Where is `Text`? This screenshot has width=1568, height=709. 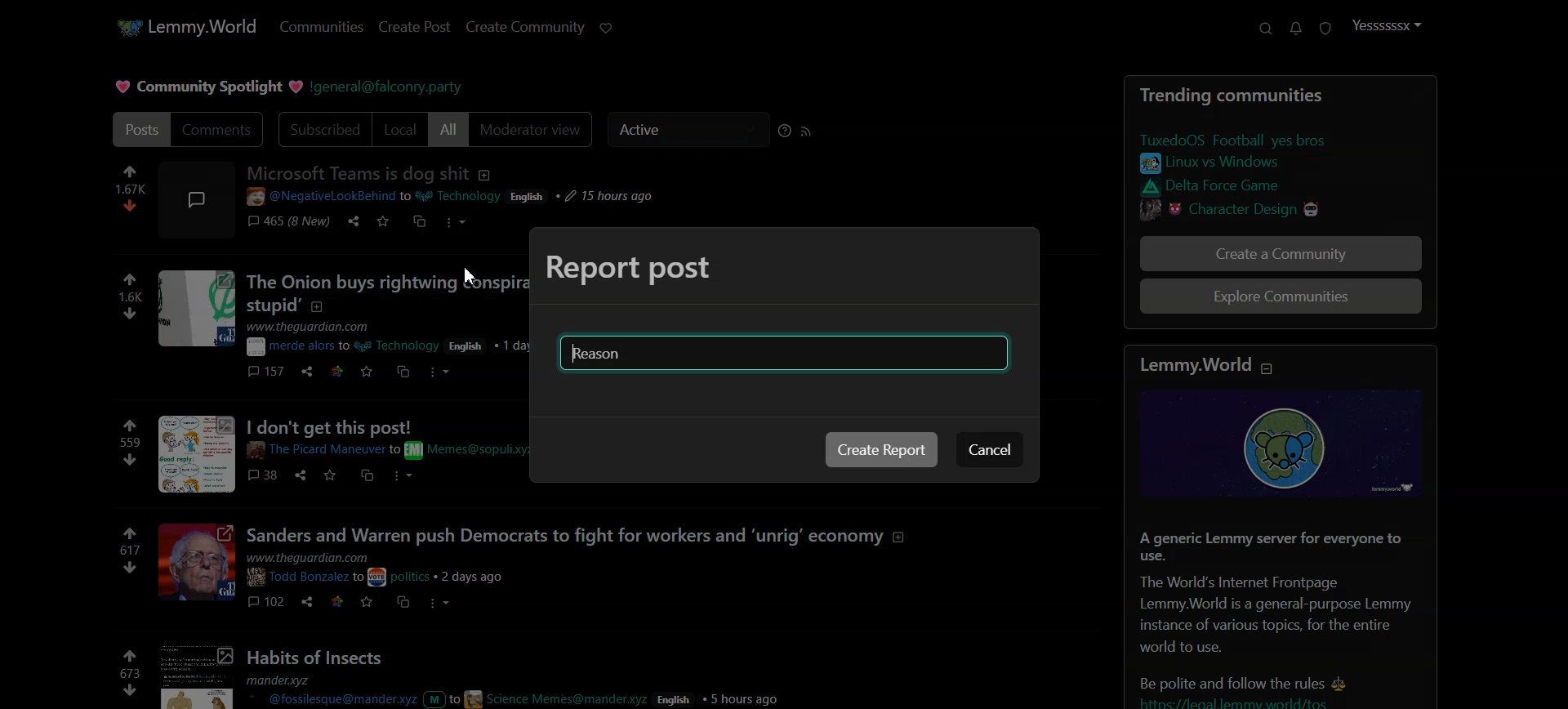 Text is located at coordinates (630, 270).